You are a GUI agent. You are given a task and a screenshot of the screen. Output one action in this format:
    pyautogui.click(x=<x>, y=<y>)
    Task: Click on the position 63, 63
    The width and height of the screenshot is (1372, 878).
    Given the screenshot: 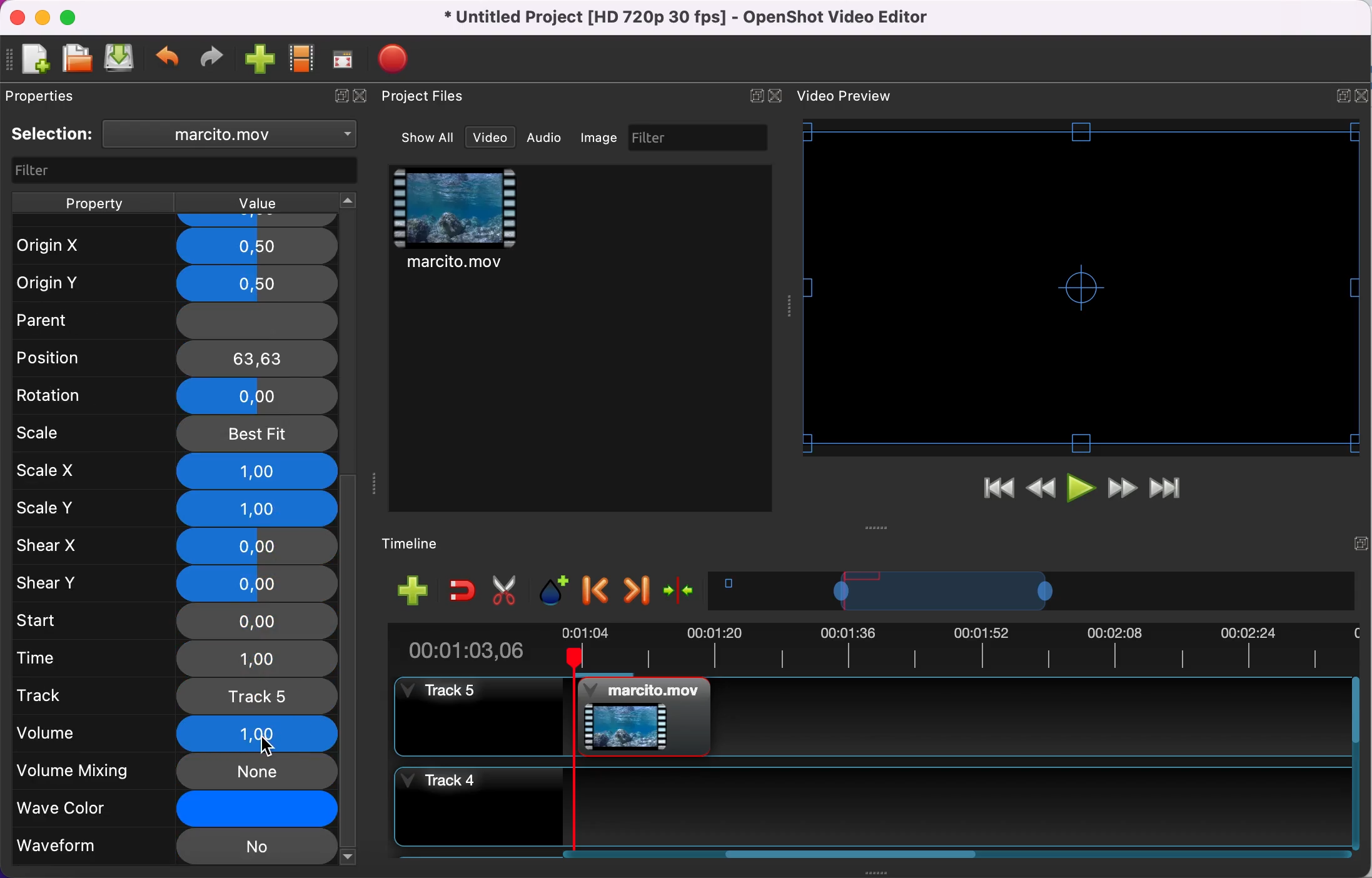 What is the action you would take?
    pyautogui.click(x=178, y=357)
    